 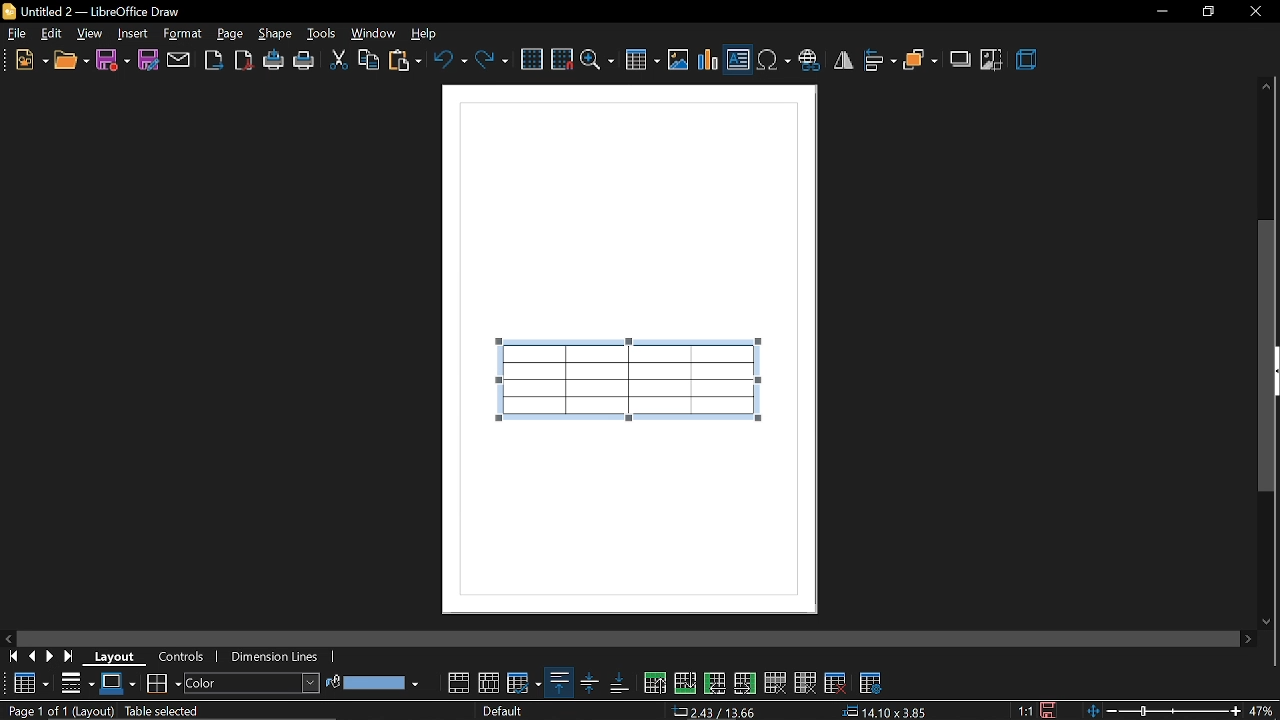 What do you see at coordinates (708, 58) in the screenshot?
I see `insert chart` at bounding box center [708, 58].